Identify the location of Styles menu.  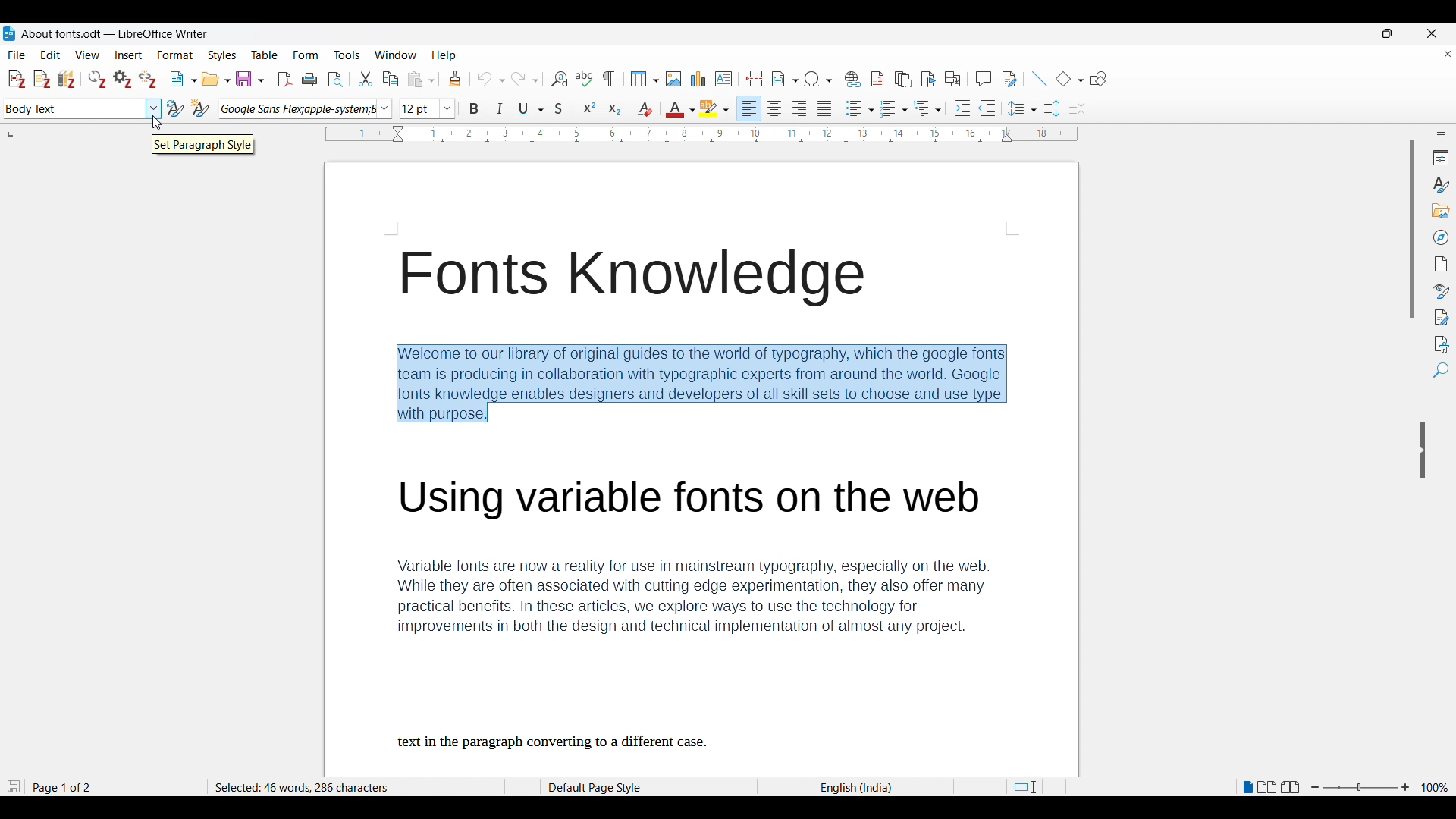
(222, 55).